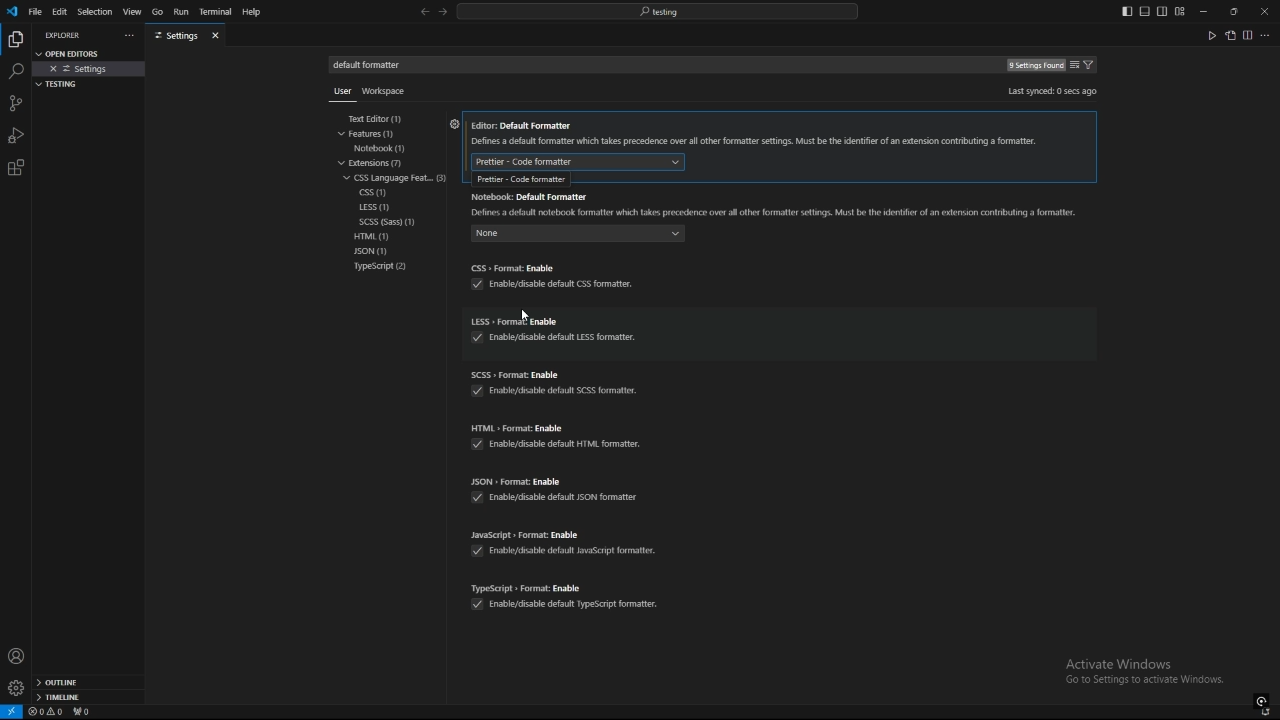 The image size is (1280, 720). I want to click on testing, so click(61, 84).